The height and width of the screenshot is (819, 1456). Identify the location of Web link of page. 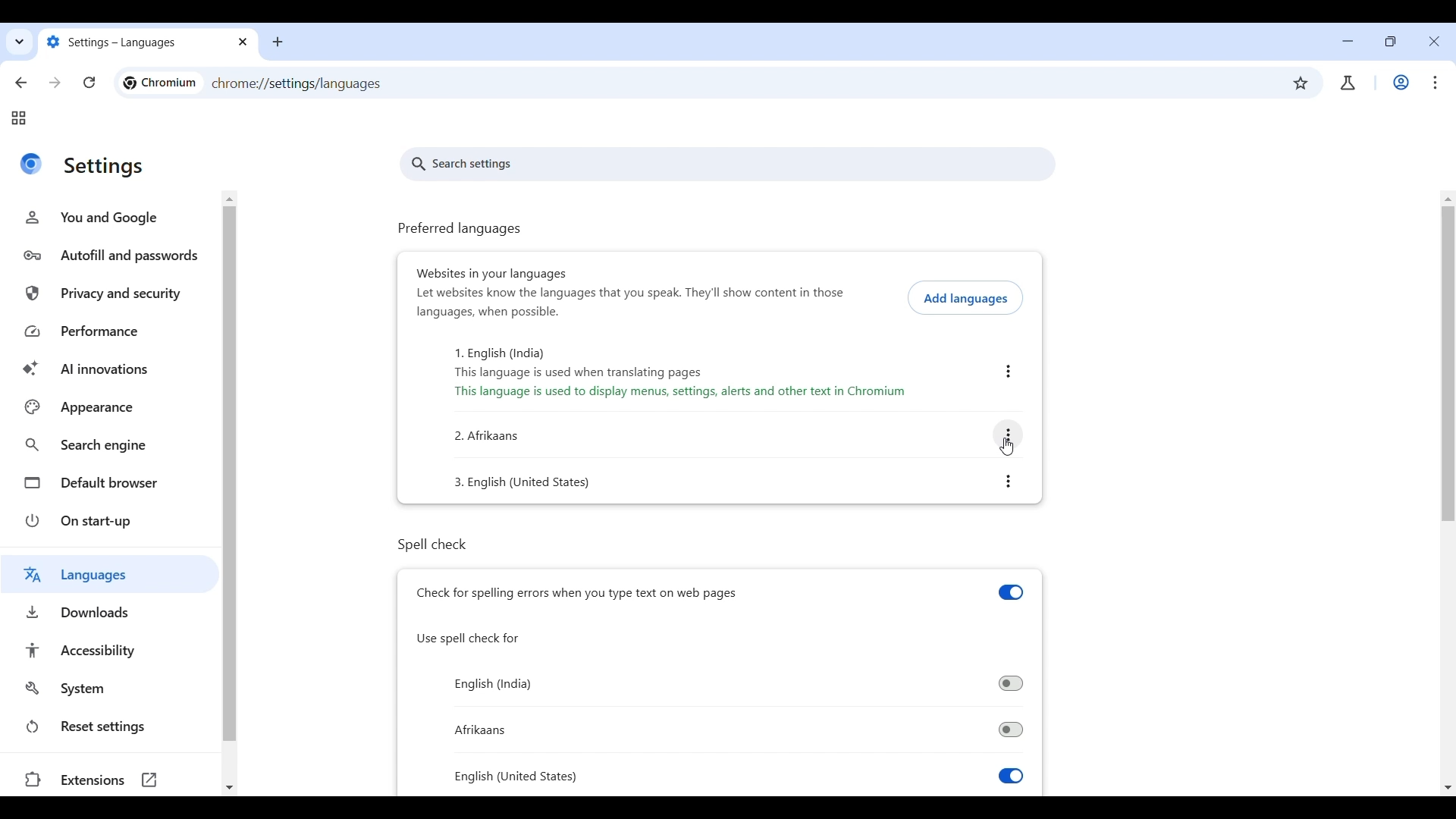
(297, 84).